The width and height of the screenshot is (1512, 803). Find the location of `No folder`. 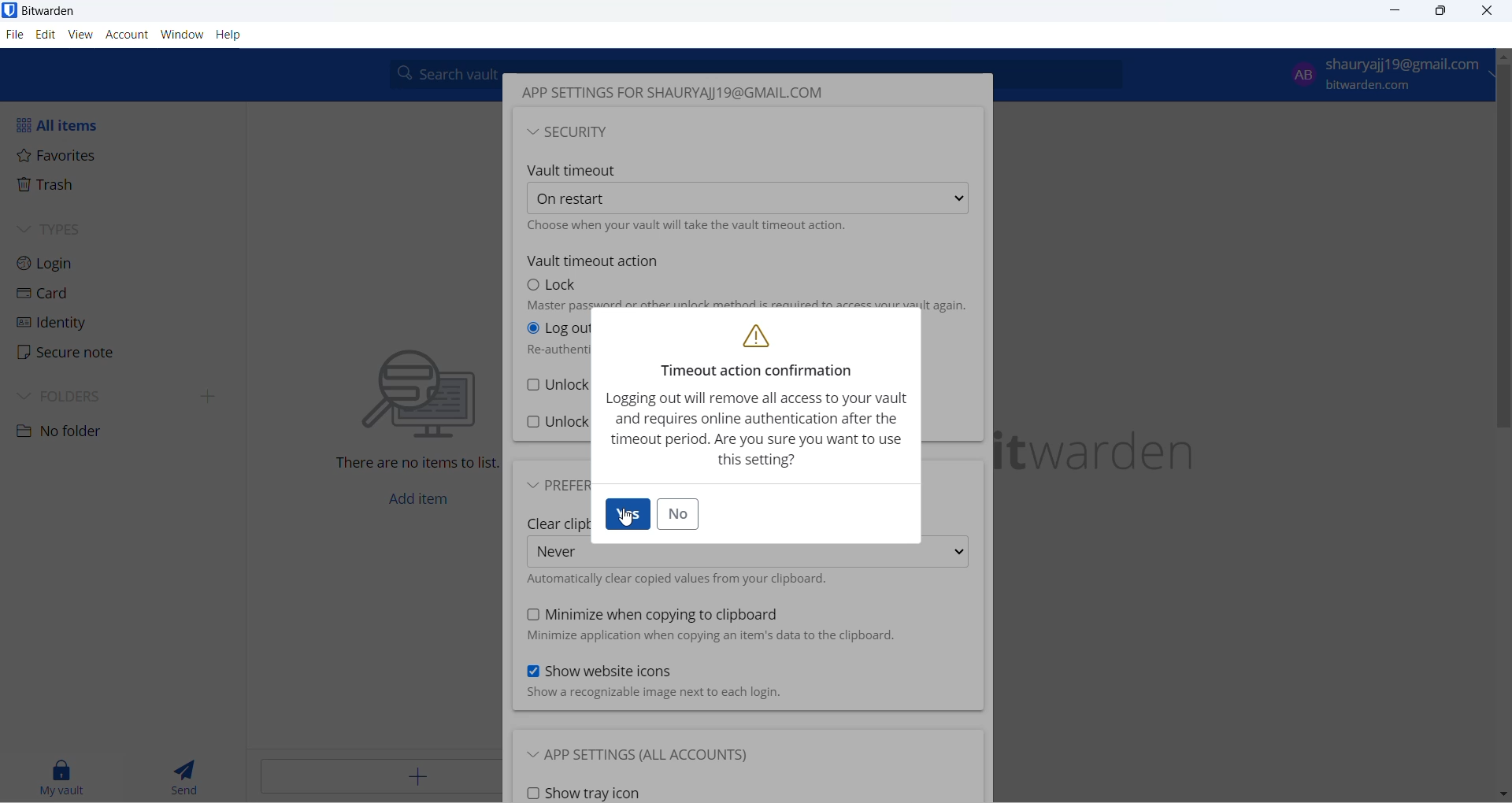

No folder is located at coordinates (66, 434).